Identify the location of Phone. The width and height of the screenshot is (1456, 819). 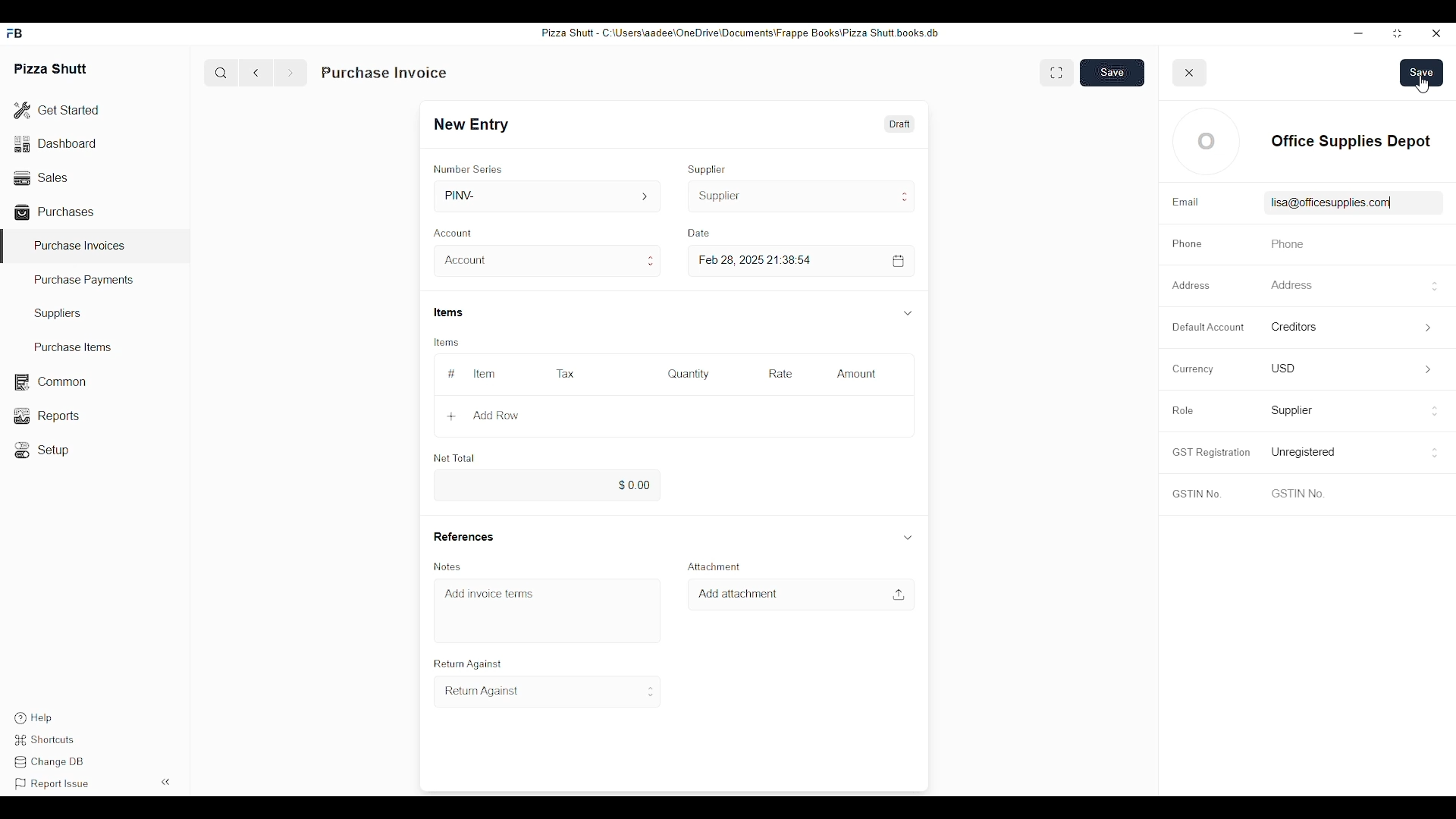
(1284, 244).